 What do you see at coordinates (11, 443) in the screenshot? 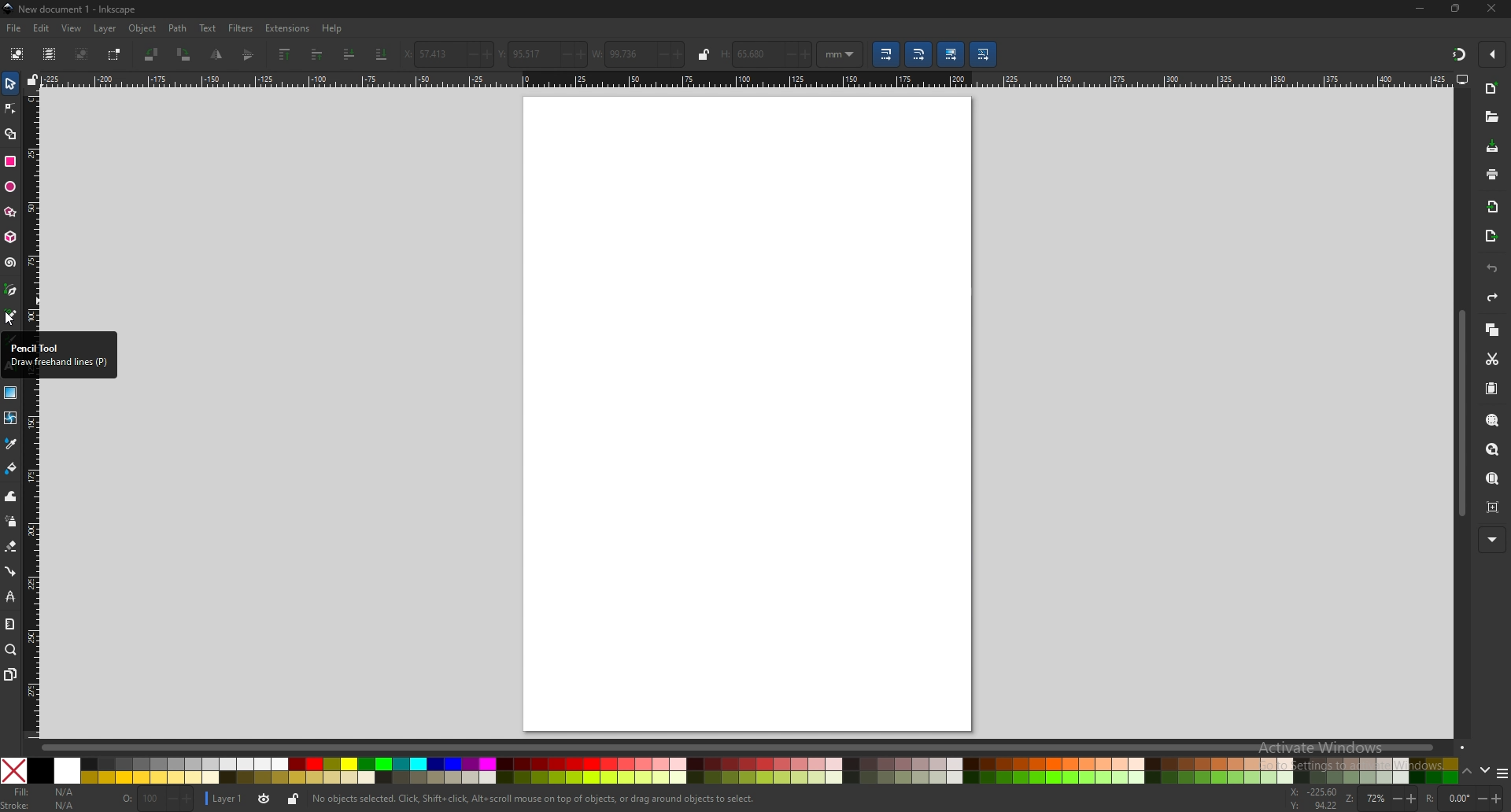
I see `color picker` at bounding box center [11, 443].